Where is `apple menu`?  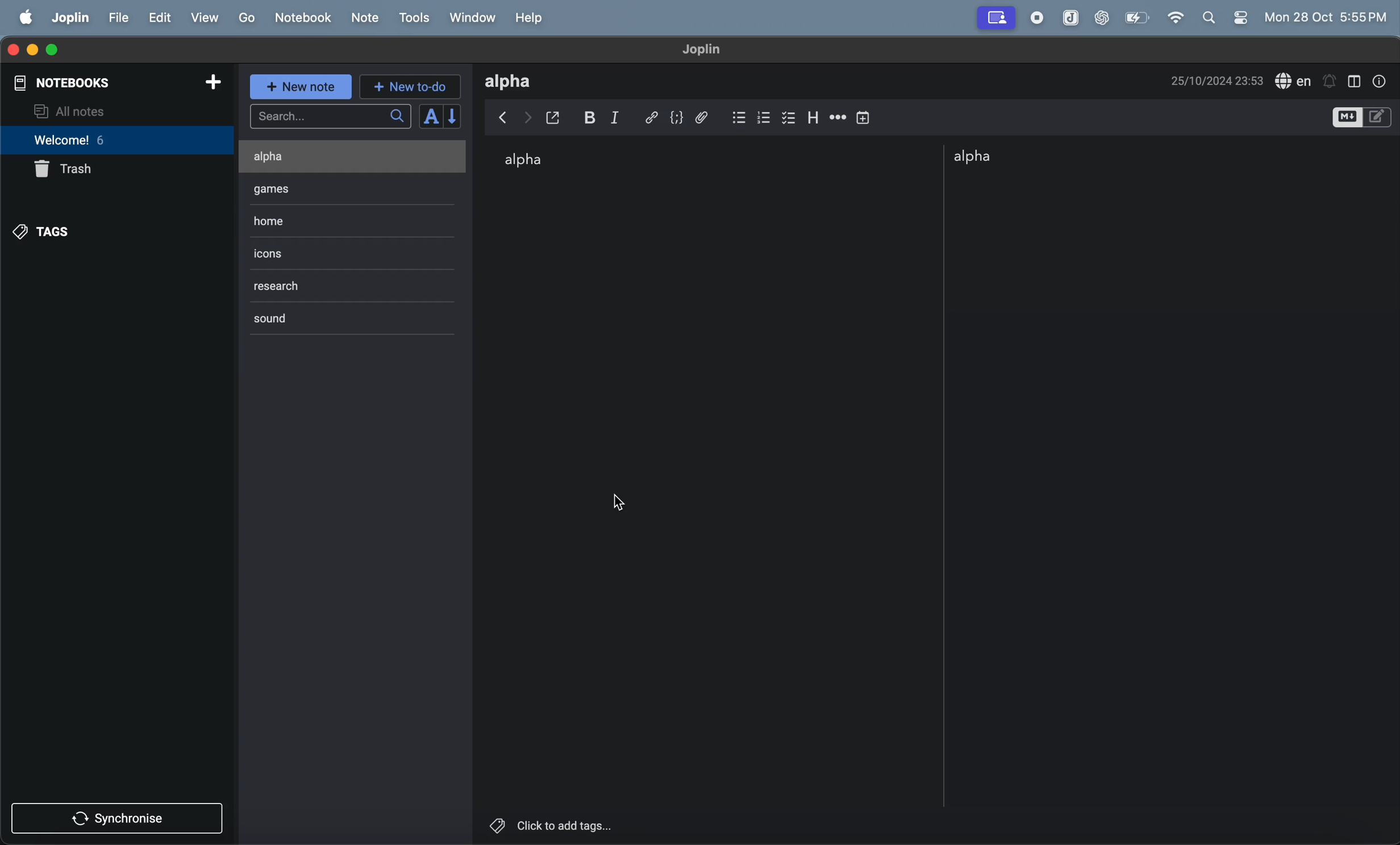 apple menu is located at coordinates (24, 18).